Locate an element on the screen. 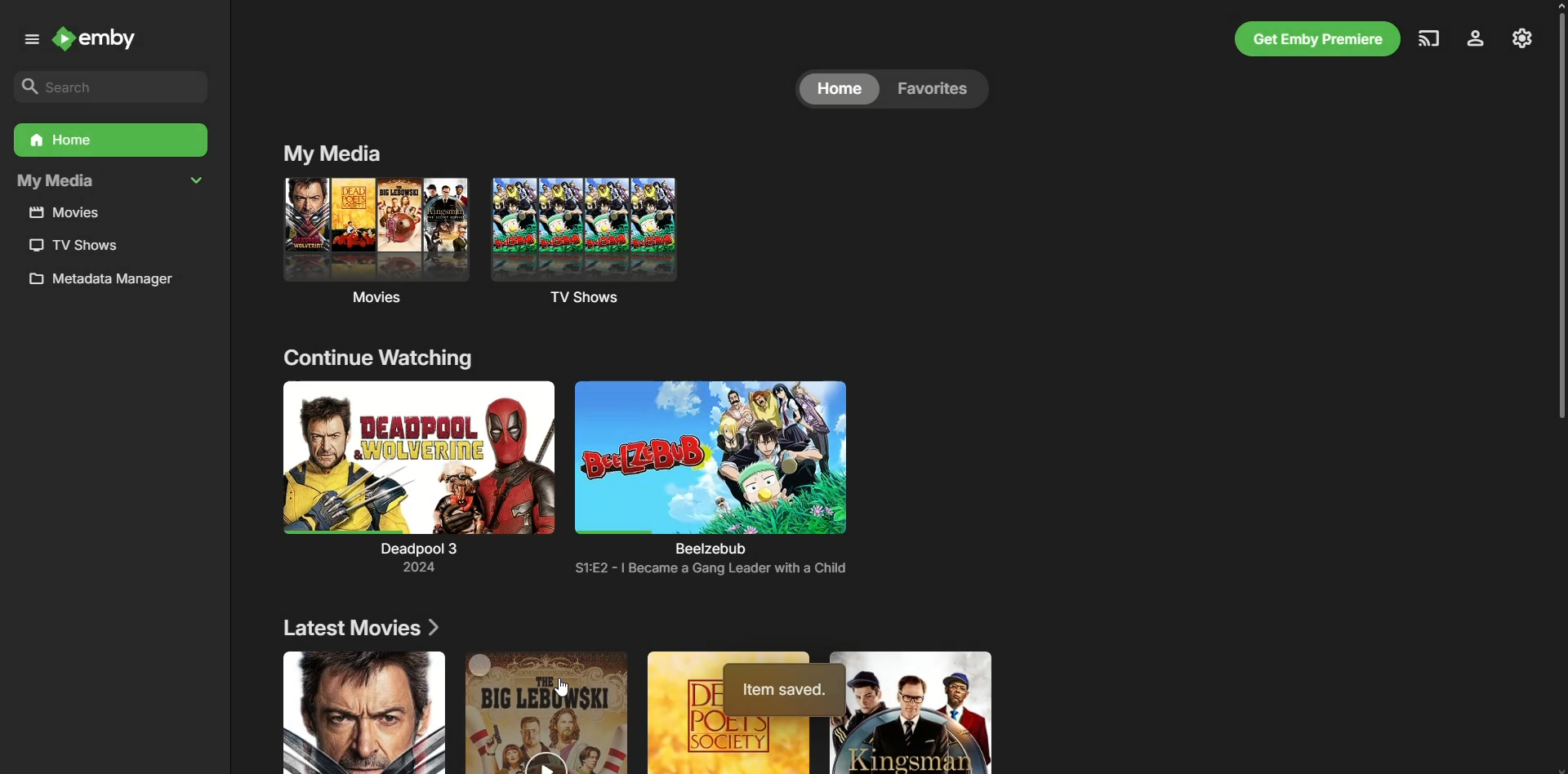 The width and height of the screenshot is (1568, 774). Latest Movies is located at coordinates (363, 629).